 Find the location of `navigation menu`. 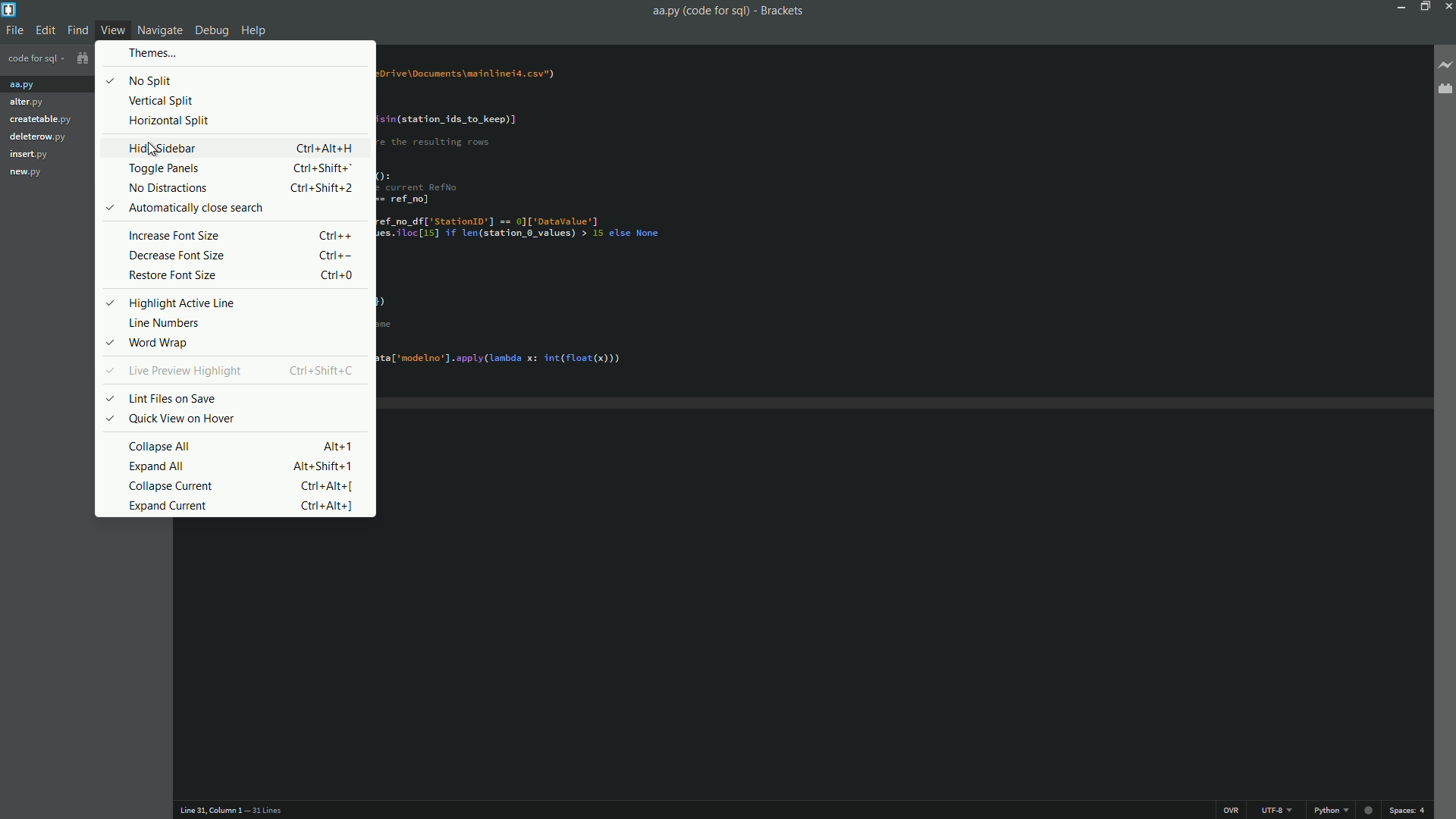

navigation menu is located at coordinates (160, 30).